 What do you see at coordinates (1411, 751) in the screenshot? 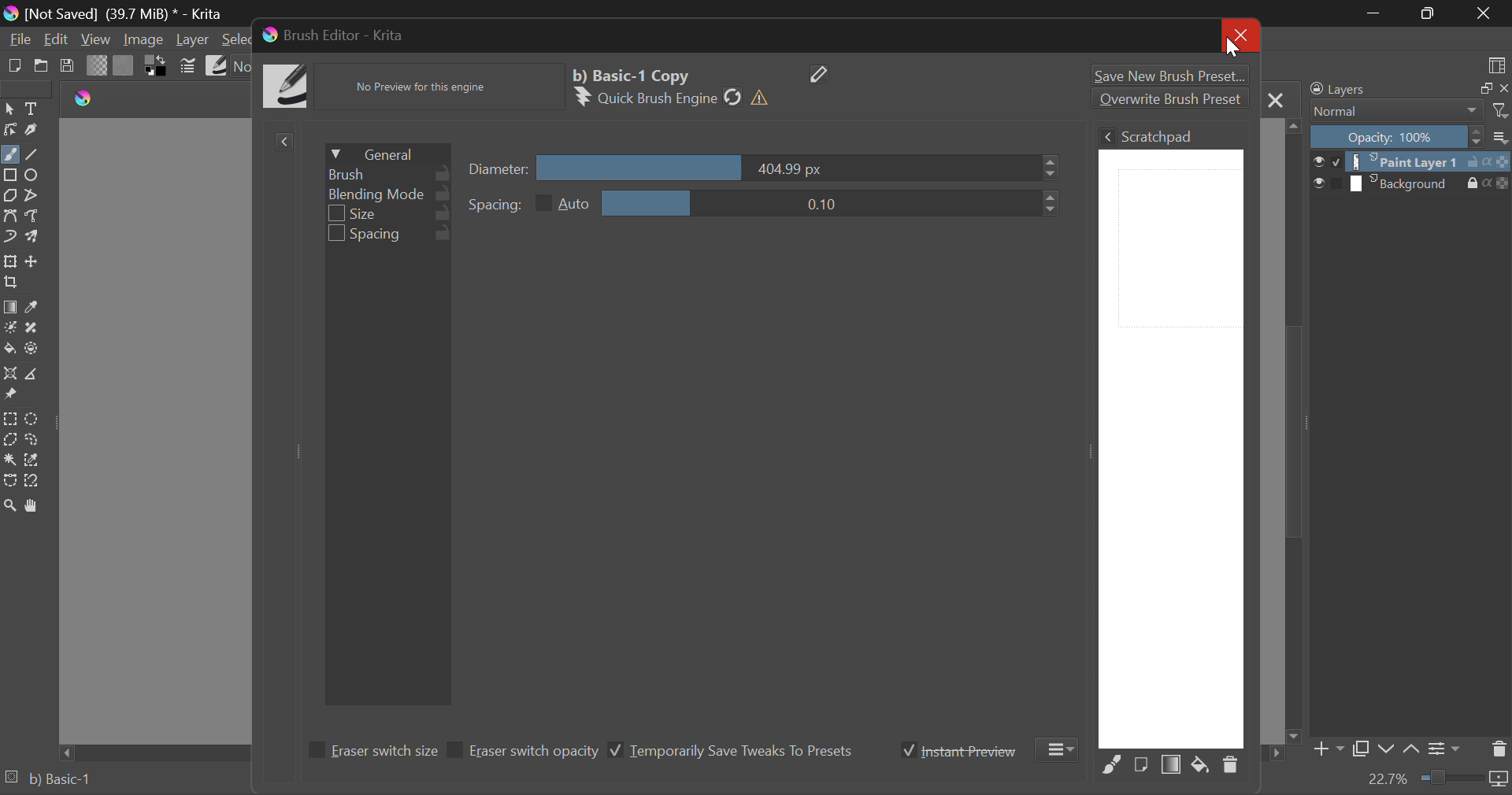
I see `Move Layer Up` at bounding box center [1411, 751].